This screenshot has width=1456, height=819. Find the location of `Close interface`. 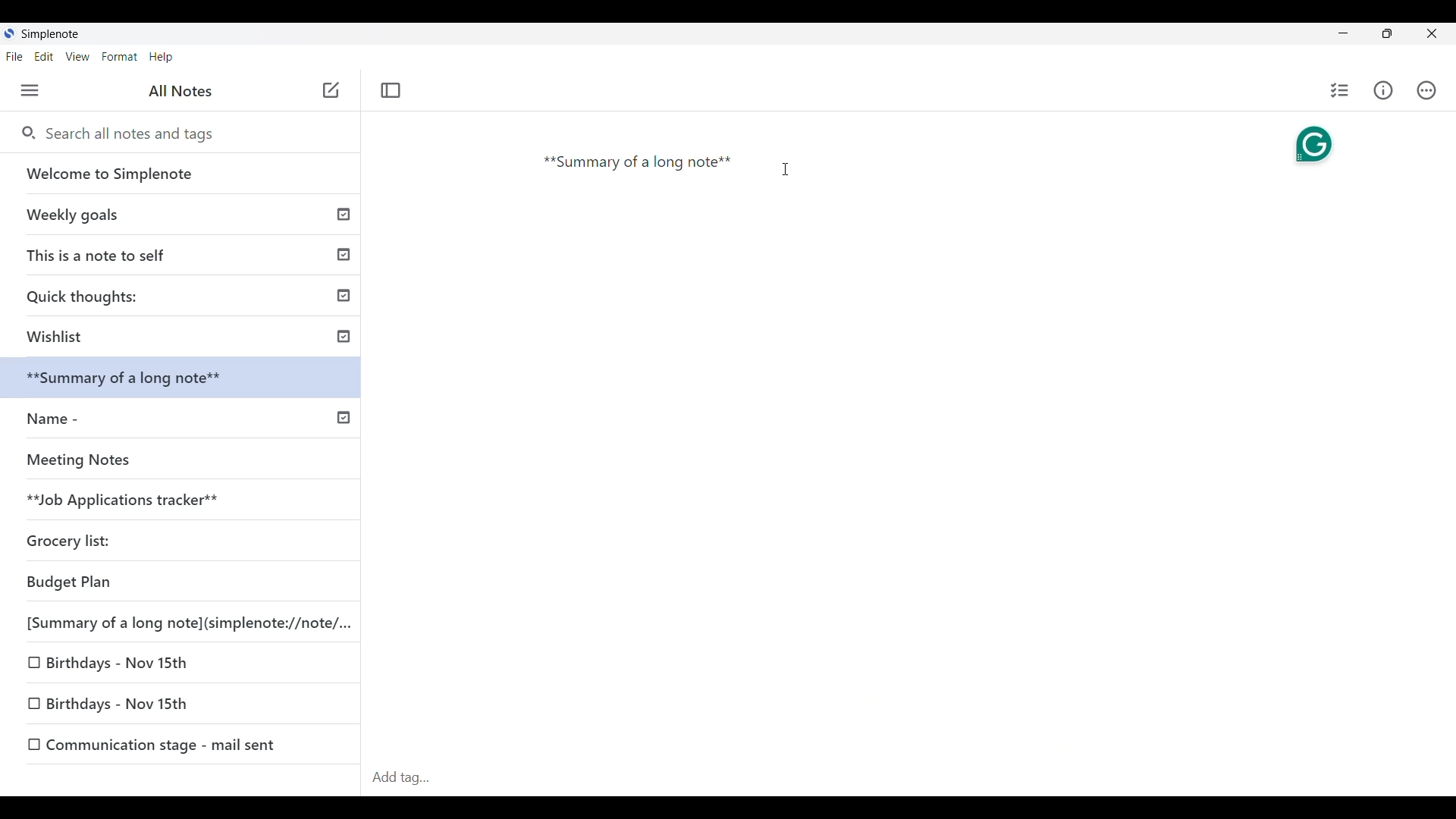

Close interface is located at coordinates (1431, 33).